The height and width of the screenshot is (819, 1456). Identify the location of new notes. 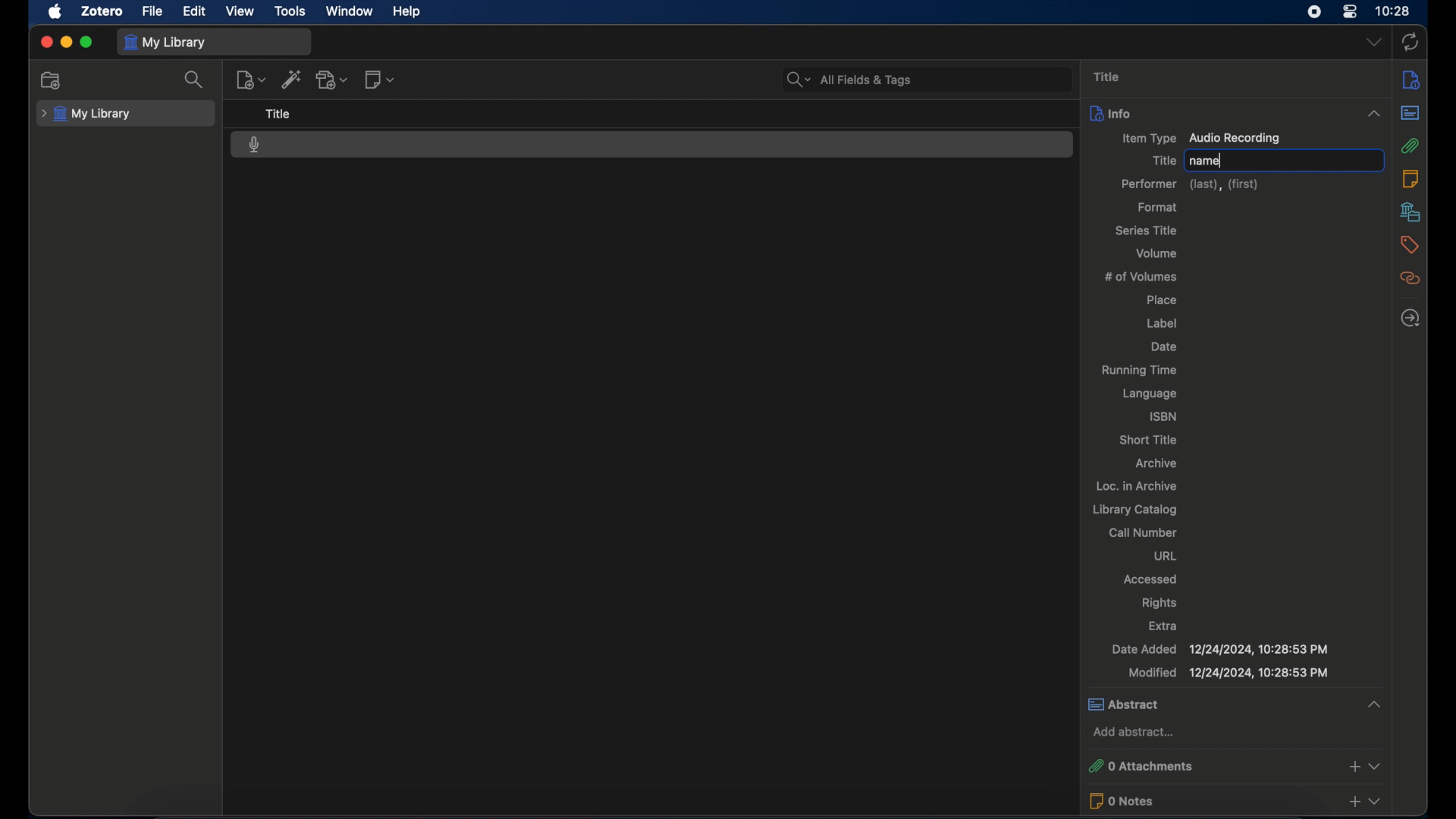
(381, 79).